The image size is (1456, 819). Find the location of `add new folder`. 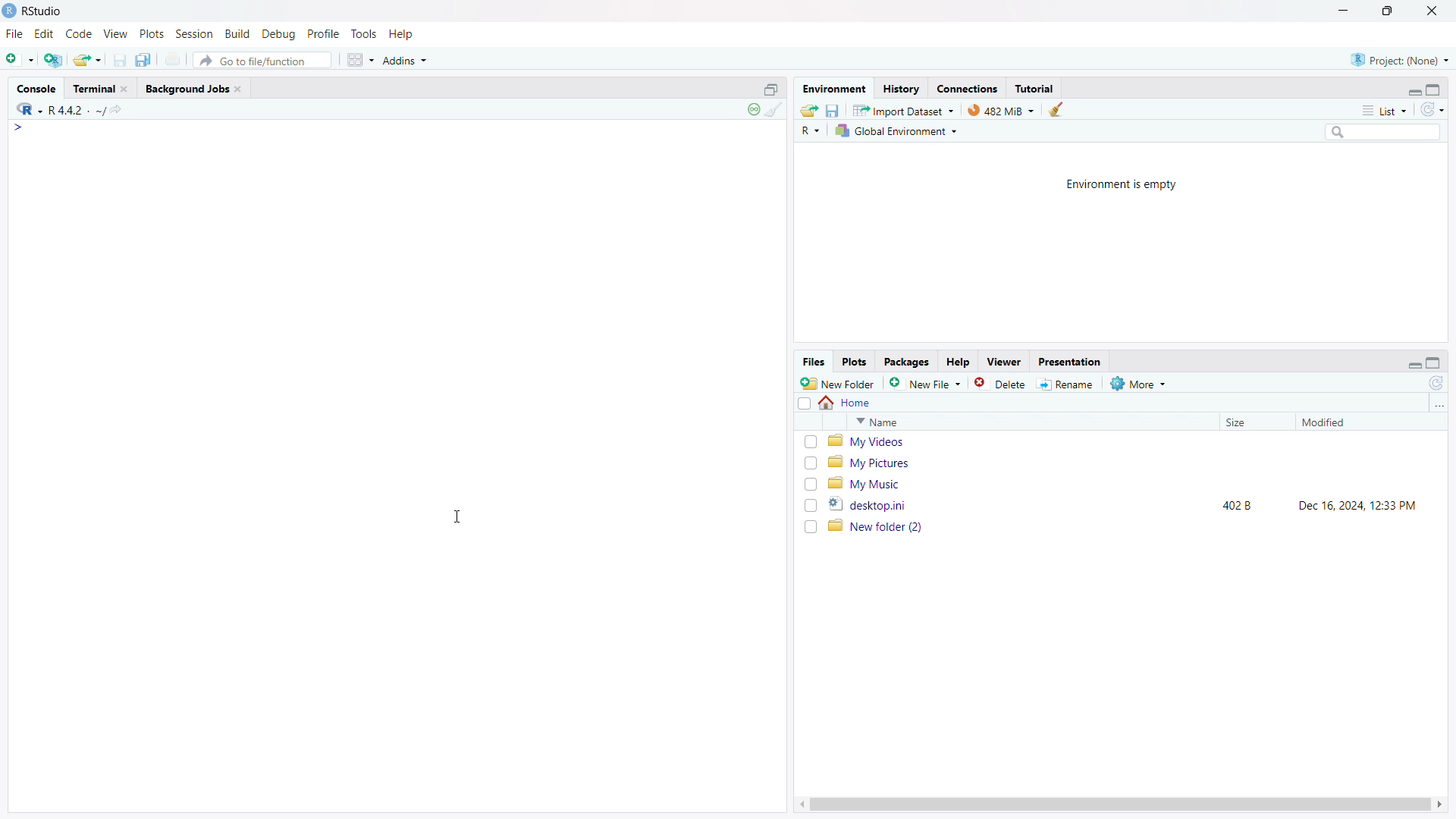

add new folder is located at coordinates (838, 383).